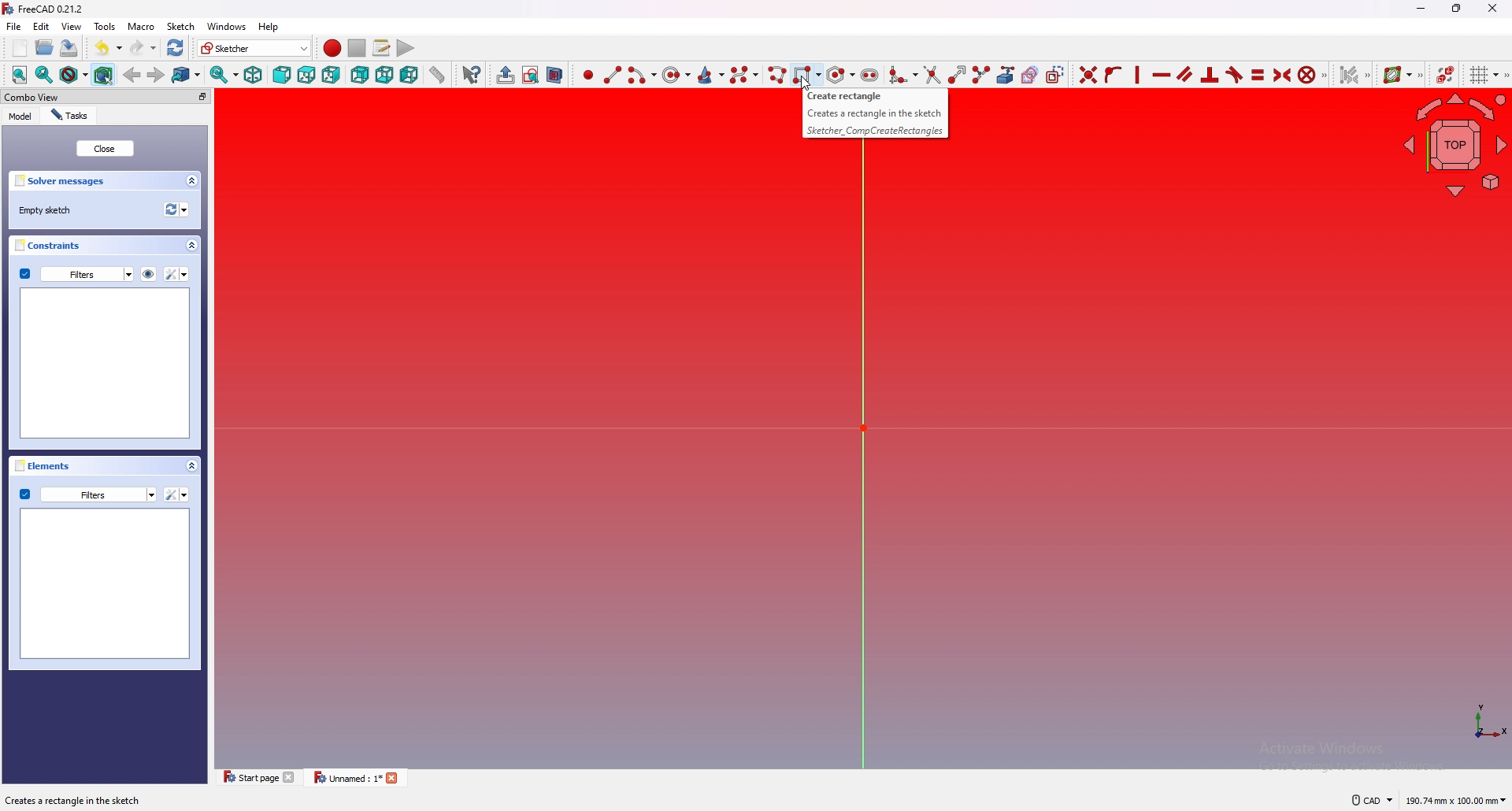 This screenshot has width=1512, height=811. I want to click on description, so click(79, 799).